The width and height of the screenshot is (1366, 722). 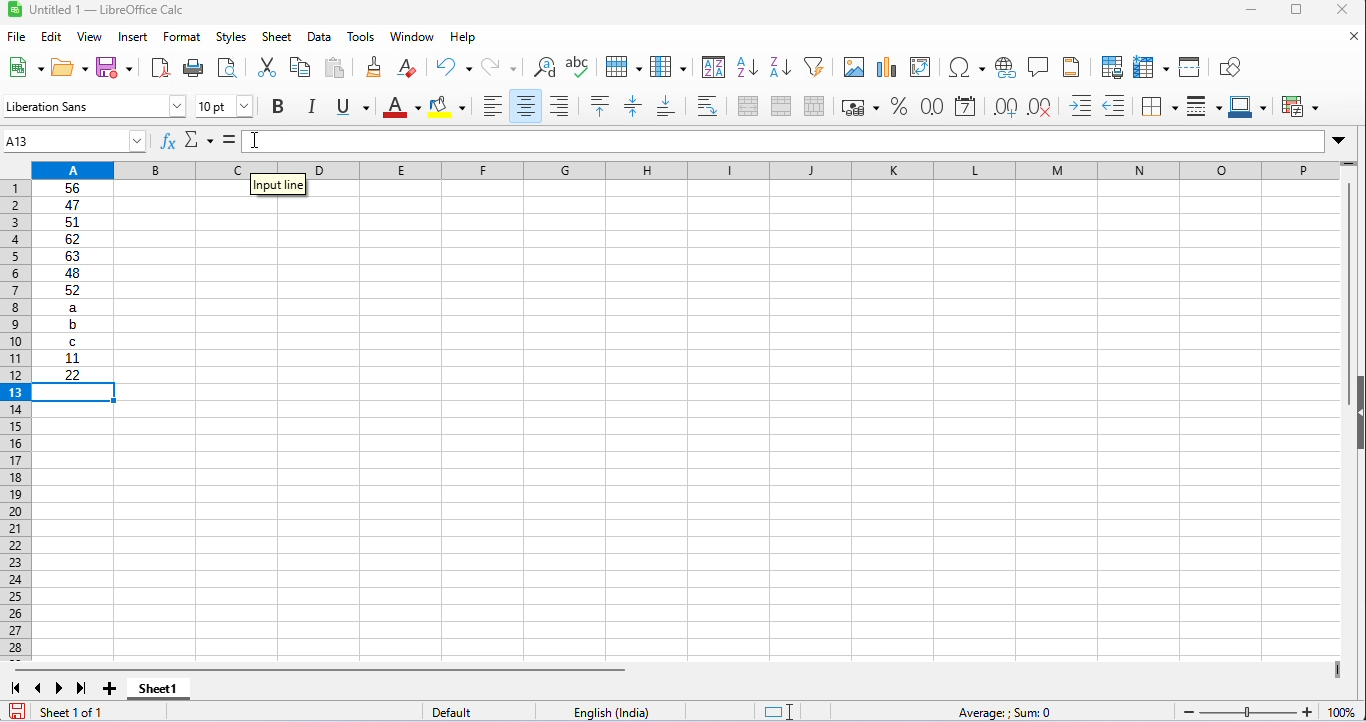 What do you see at coordinates (109, 690) in the screenshot?
I see `add new sheet` at bounding box center [109, 690].